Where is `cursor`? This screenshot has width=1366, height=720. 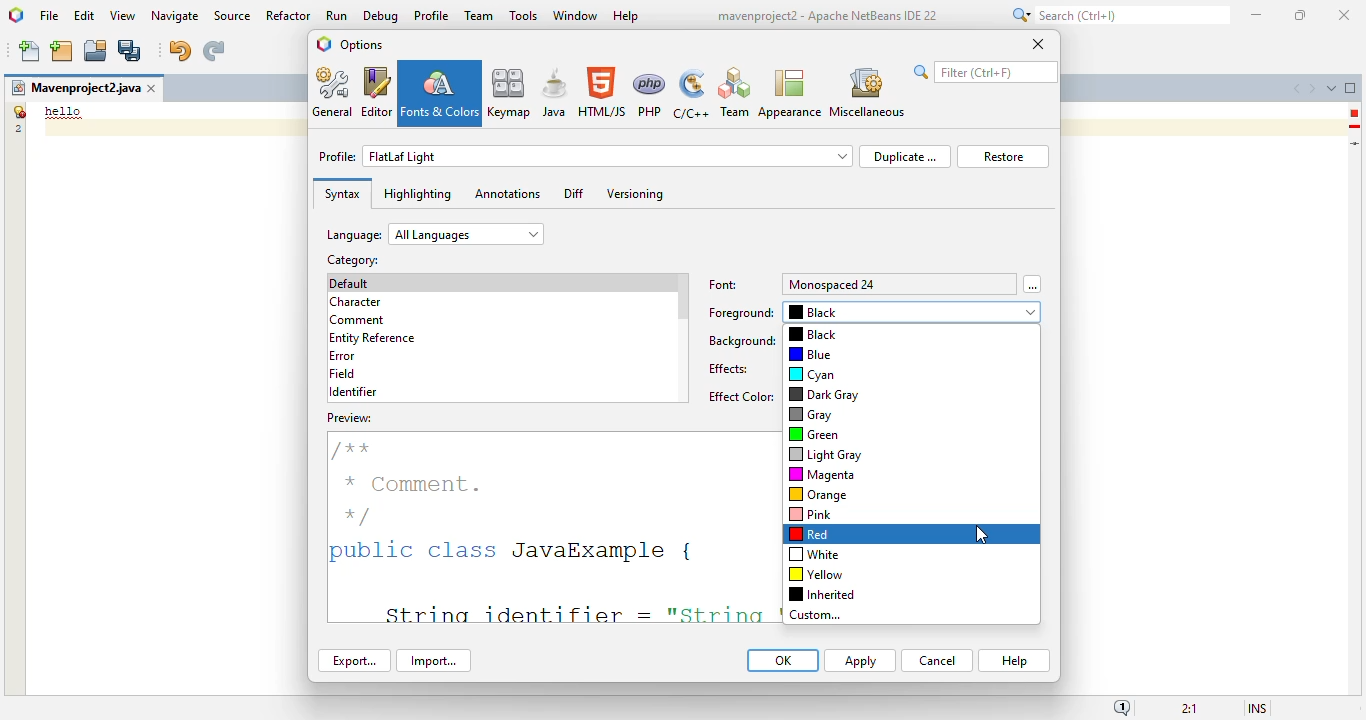 cursor is located at coordinates (980, 535).